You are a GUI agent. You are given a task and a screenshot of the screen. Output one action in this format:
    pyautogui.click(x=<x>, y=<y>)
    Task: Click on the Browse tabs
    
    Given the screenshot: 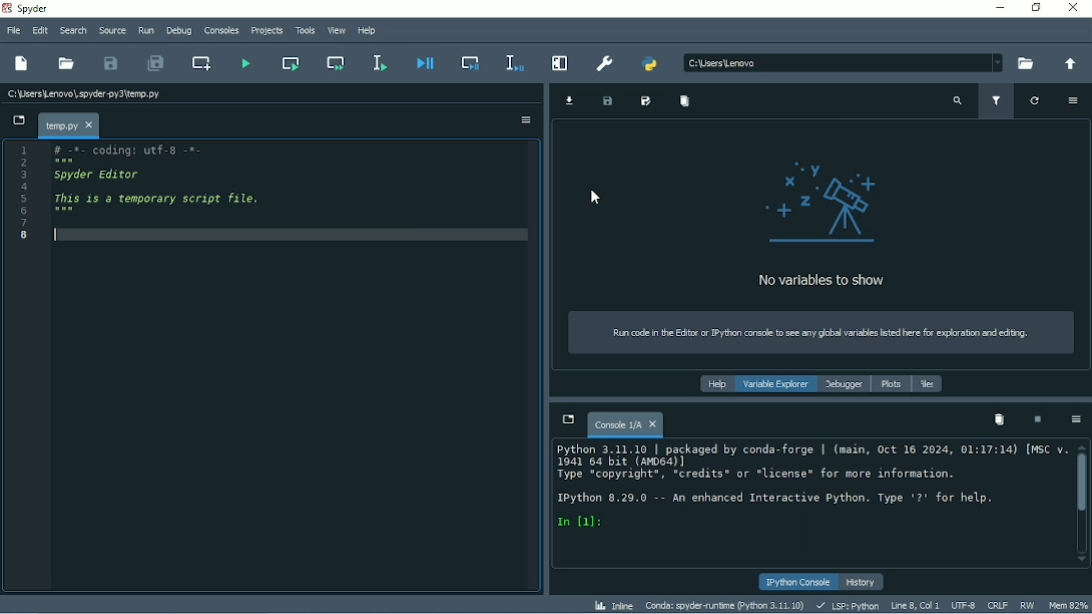 What is the action you would take?
    pyautogui.click(x=567, y=419)
    